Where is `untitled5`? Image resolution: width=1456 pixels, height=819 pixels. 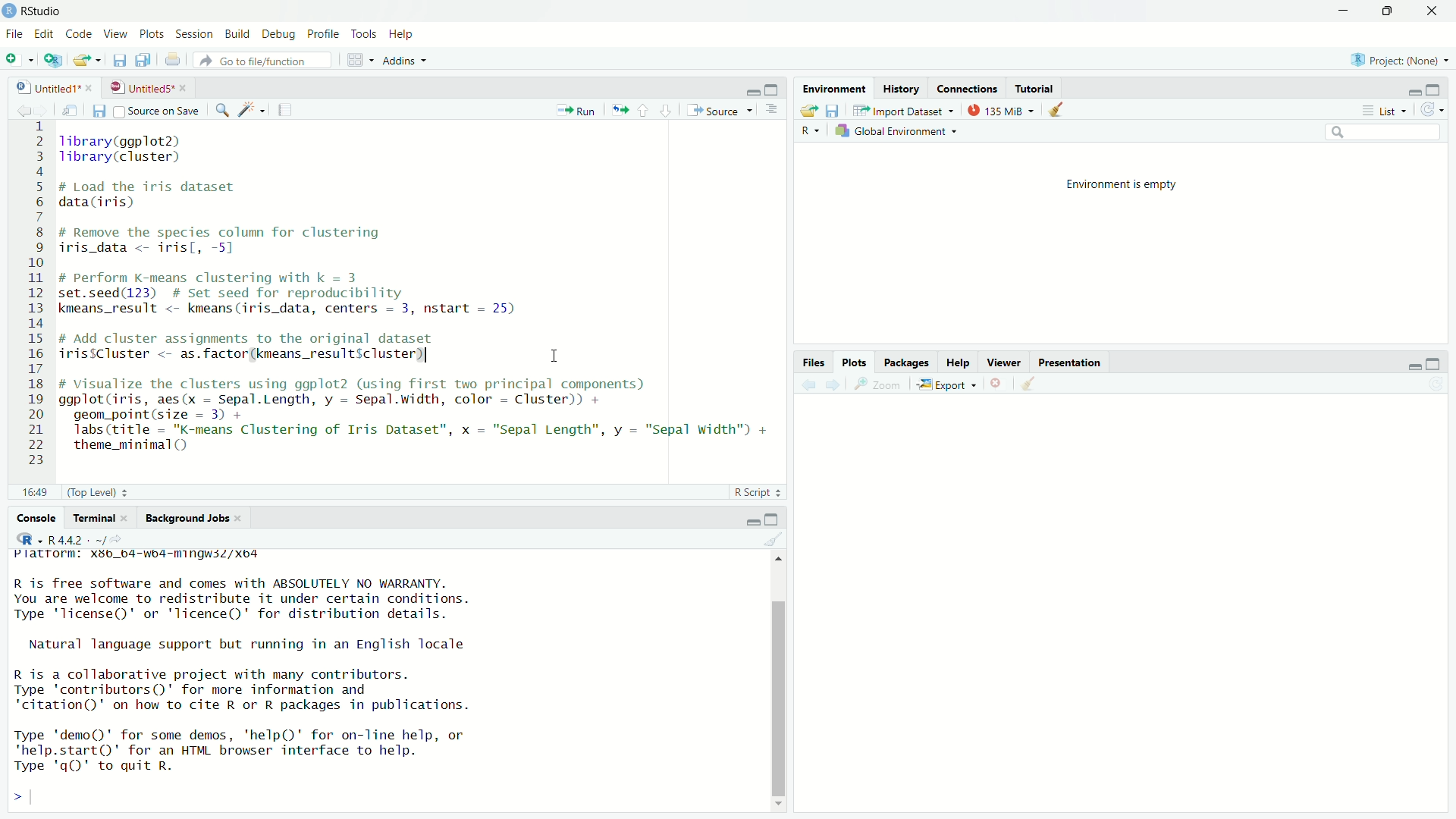 untitled5 is located at coordinates (139, 86).